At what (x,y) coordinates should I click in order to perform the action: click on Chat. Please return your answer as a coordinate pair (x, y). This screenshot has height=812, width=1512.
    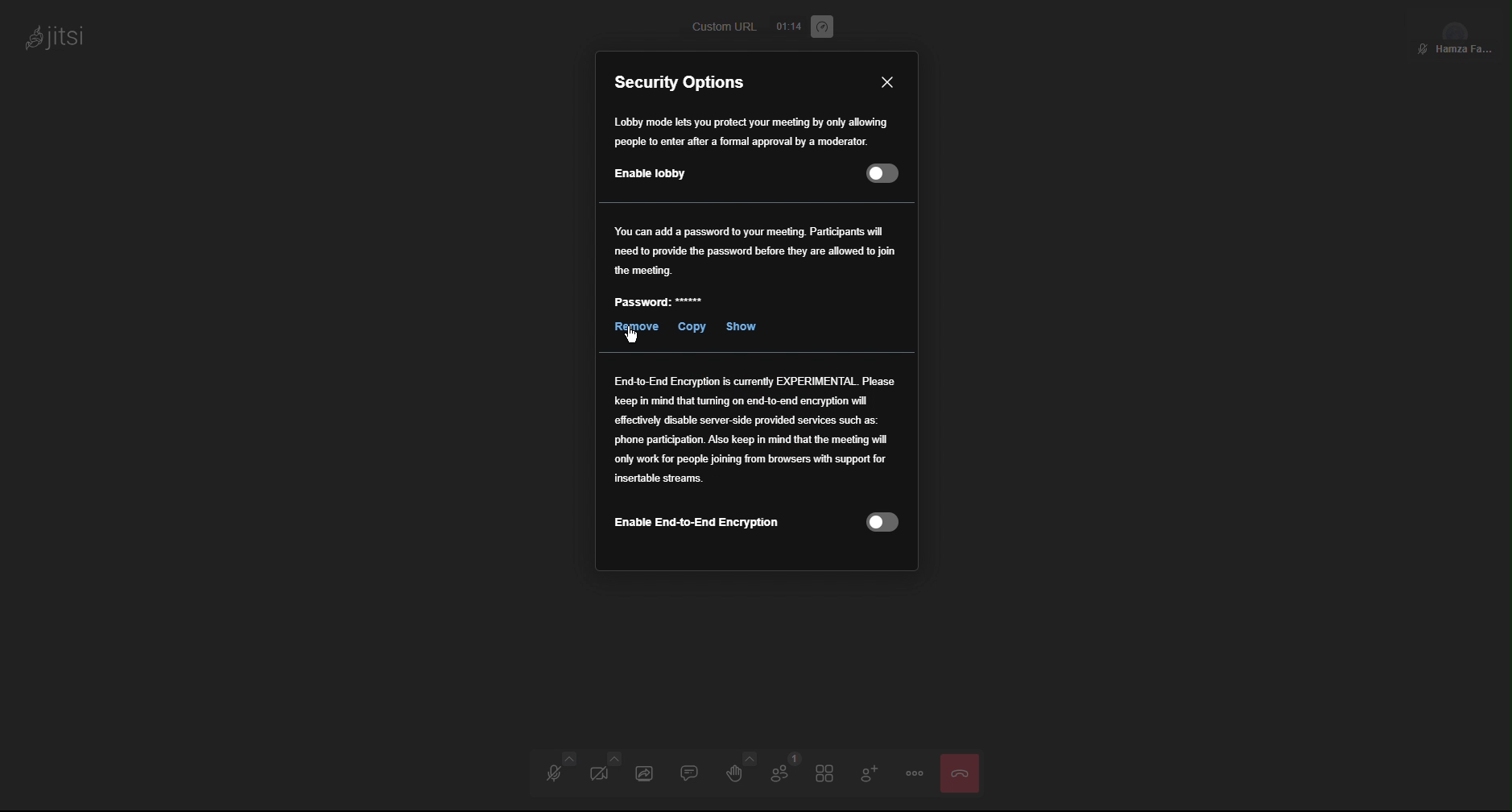
    Looking at the image, I should click on (696, 773).